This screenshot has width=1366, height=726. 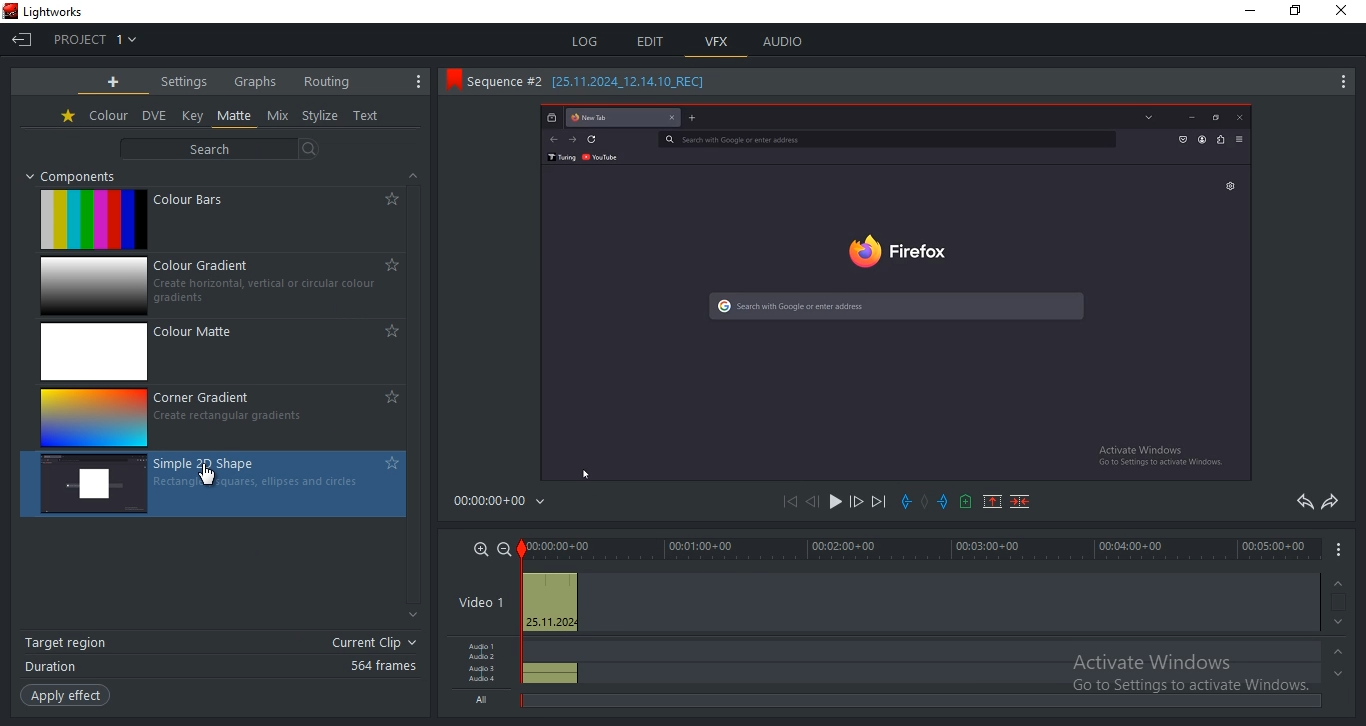 I want to click on project 1, so click(x=95, y=39).